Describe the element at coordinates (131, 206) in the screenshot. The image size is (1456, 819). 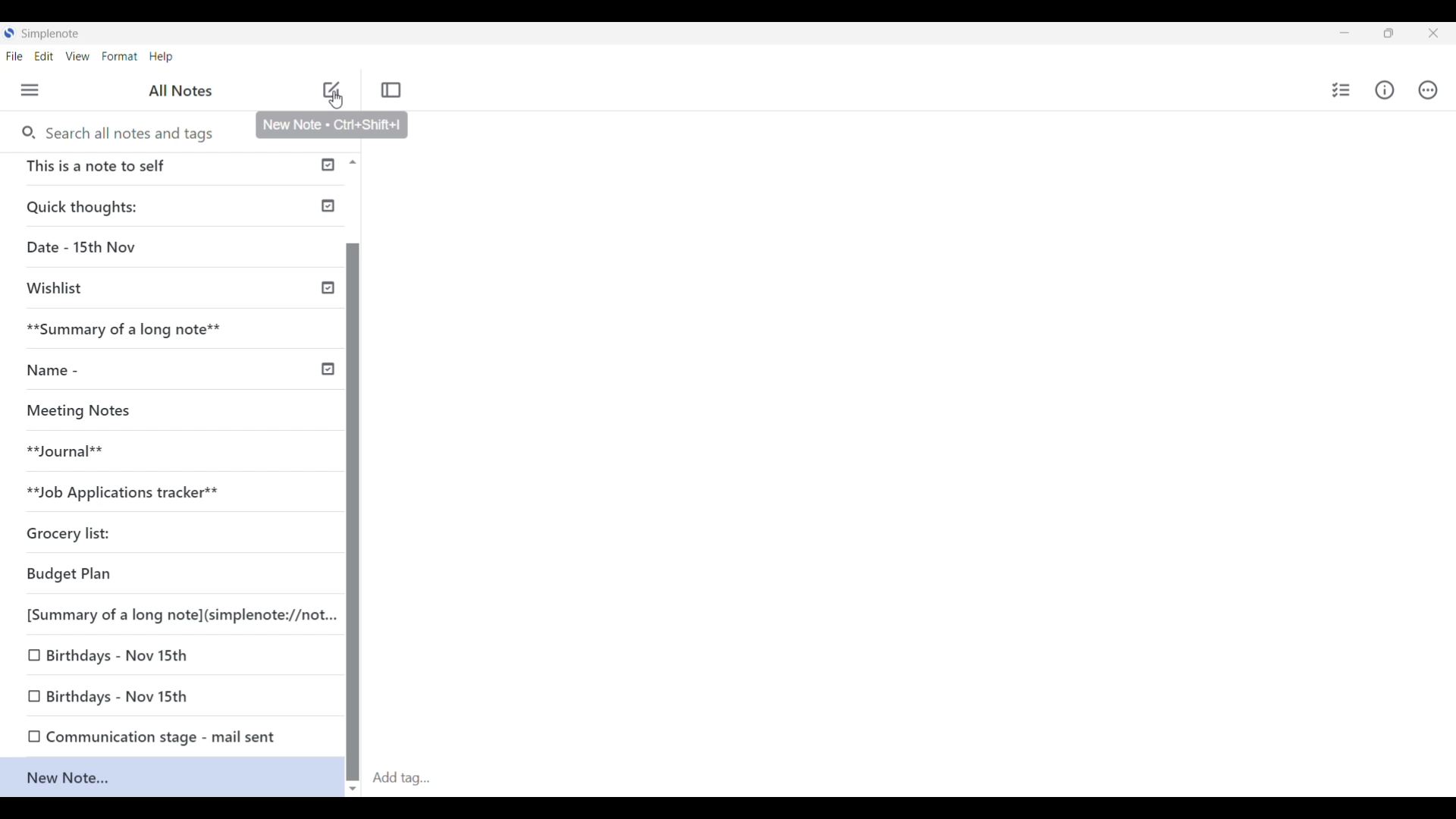
I see `Quick thoughts` at that location.